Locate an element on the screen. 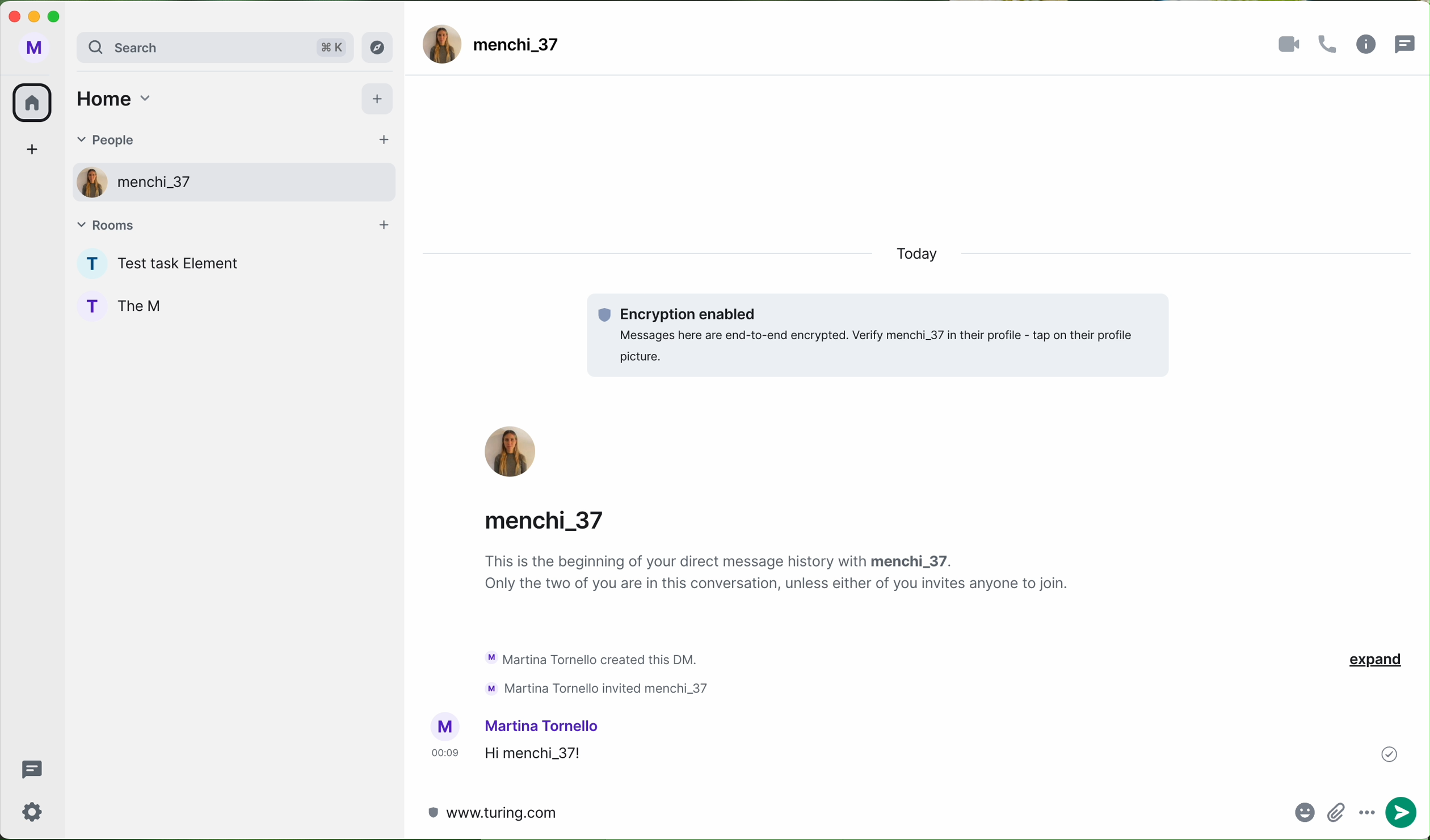 The height and width of the screenshot is (840, 1430). search bar is located at coordinates (213, 49).